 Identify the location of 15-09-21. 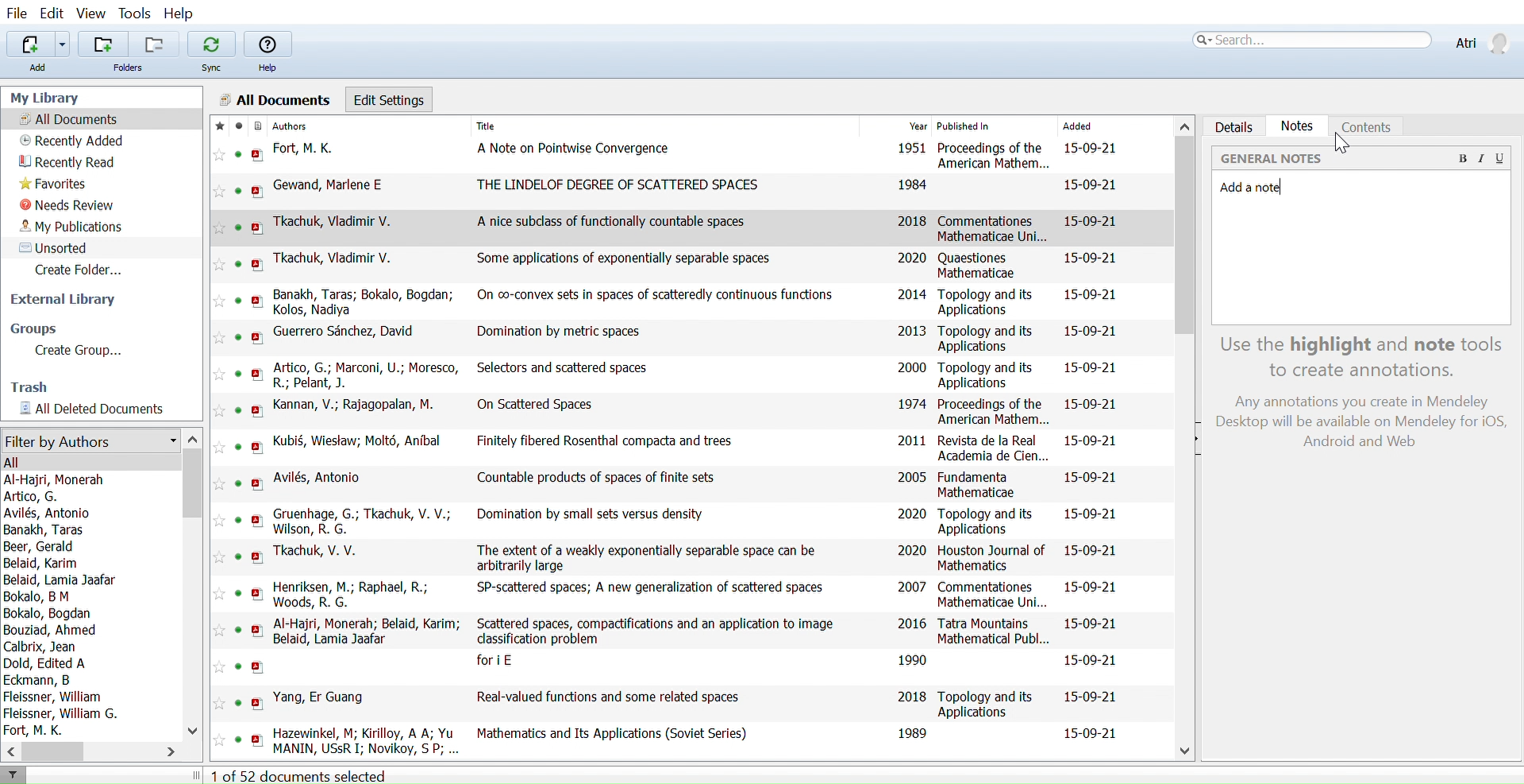
(1095, 733).